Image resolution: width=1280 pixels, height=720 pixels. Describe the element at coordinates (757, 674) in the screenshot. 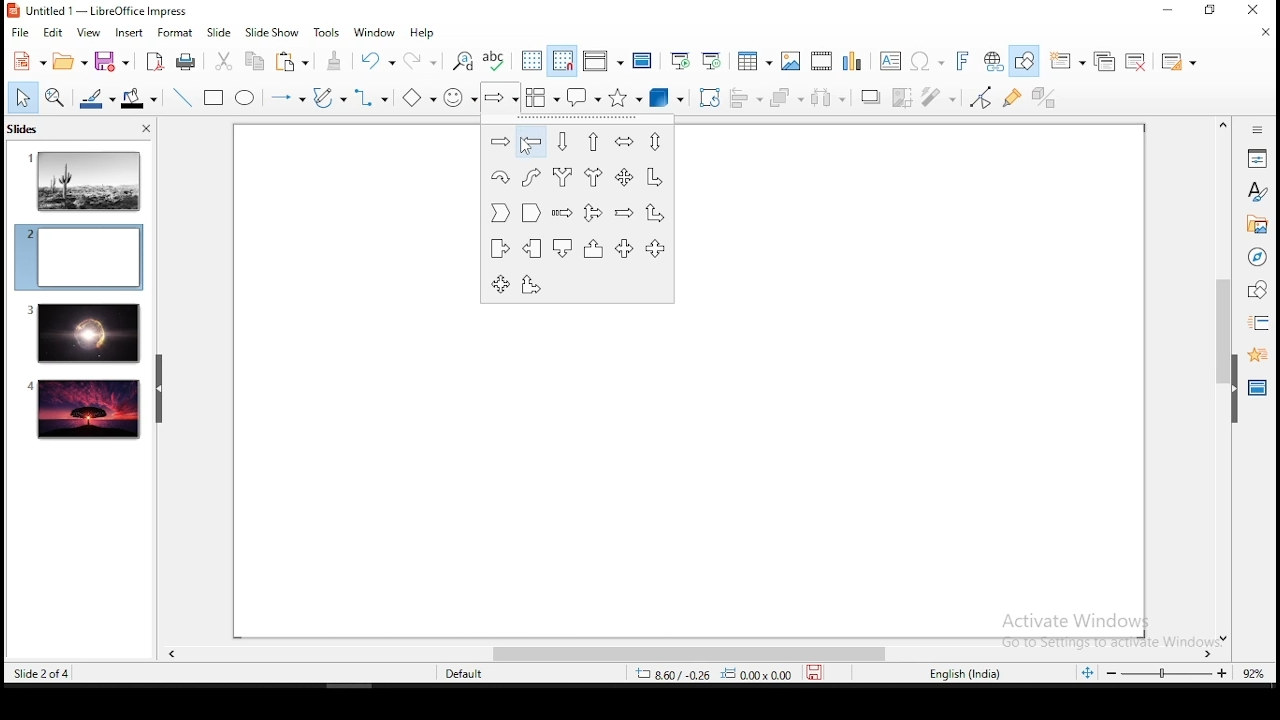

I see `0.00x0.00` at that location.